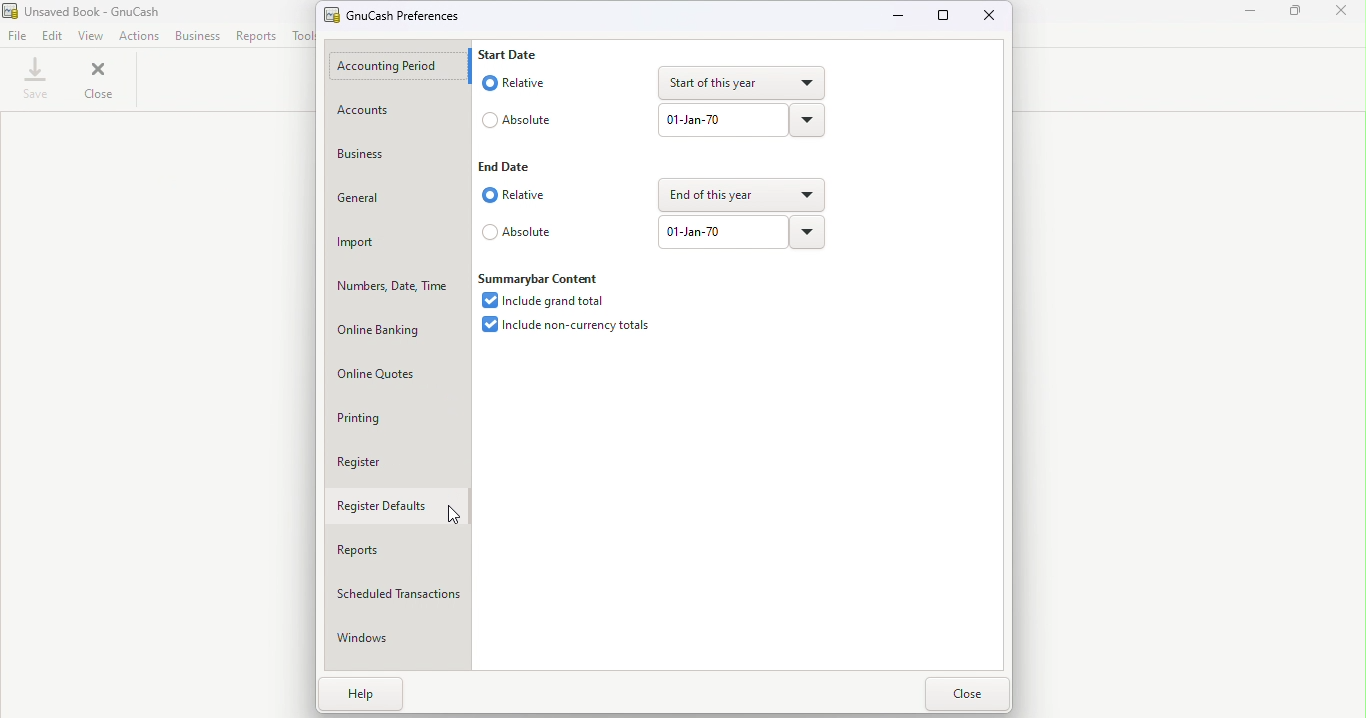 Image resolution: width=1366 pixels, height=718 pixels. What do you see at coordinates (398, 590) in the screenshot?
I see `Scheduled transactions` at bounding box center [398, 590].